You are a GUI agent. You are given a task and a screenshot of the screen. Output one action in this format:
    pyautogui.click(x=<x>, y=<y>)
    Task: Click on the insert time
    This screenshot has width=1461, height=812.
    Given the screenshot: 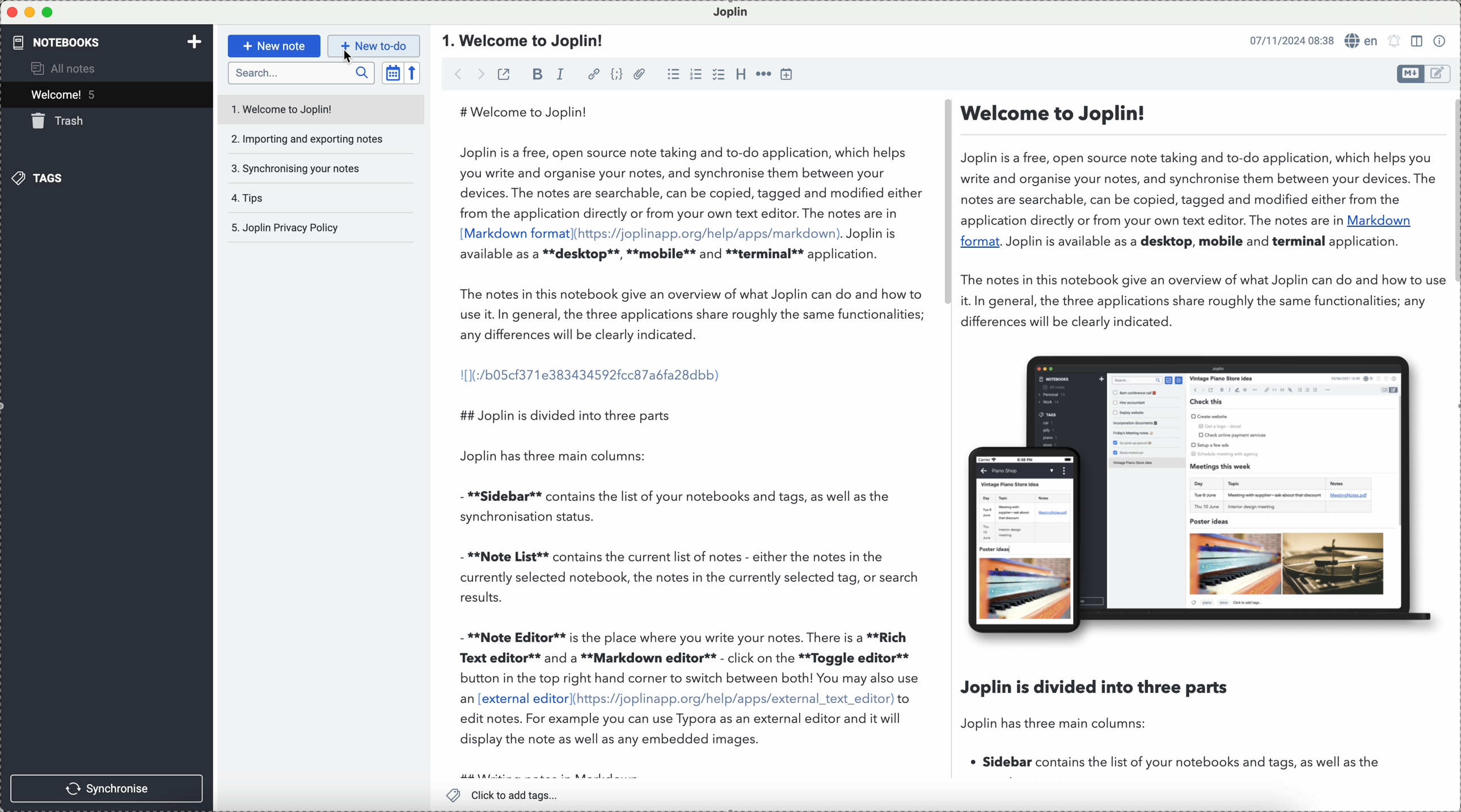 What is the action you would take?
    pyautogui.click(x=787, y=74)
    